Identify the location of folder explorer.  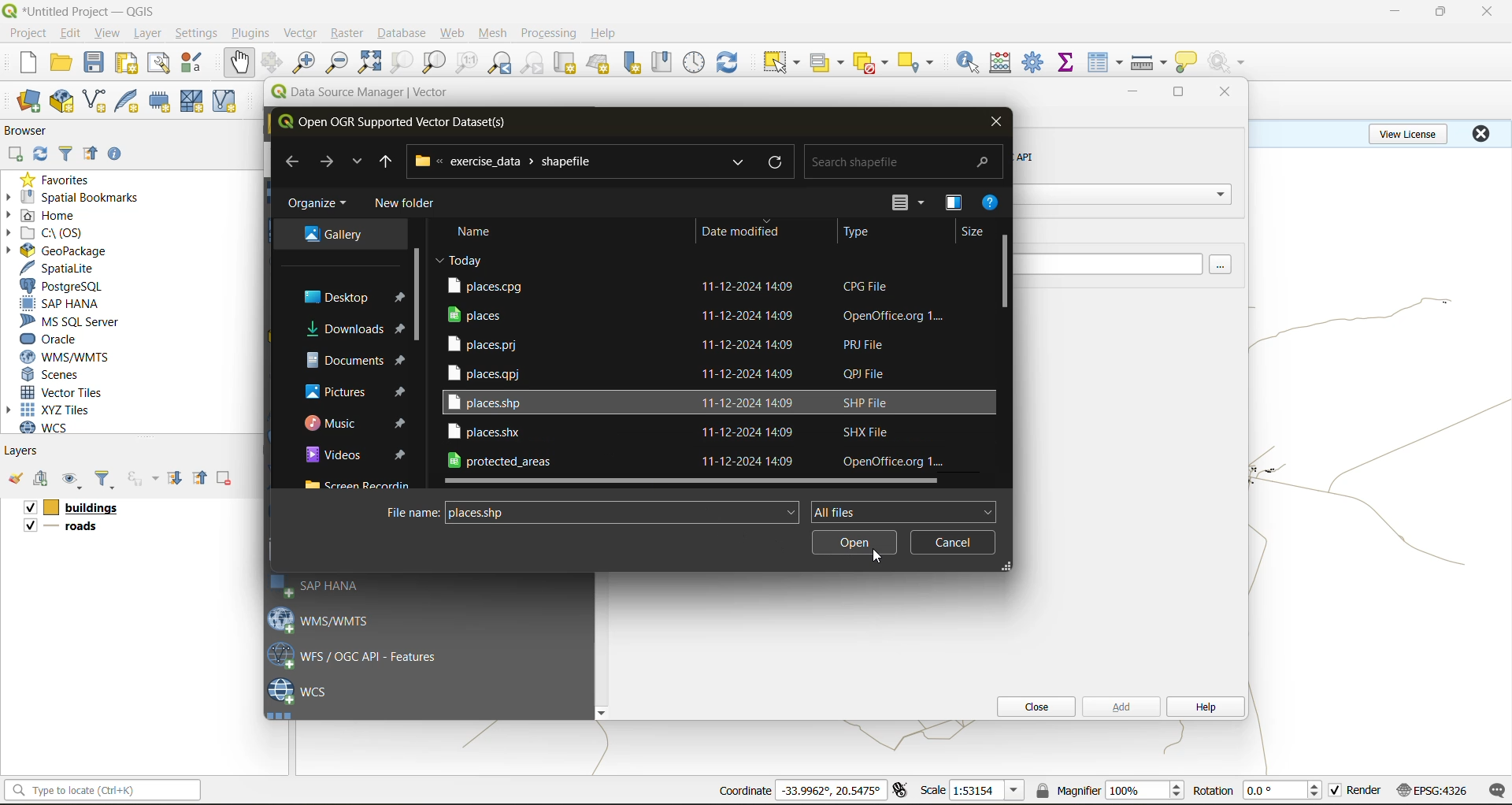
(354, 330).